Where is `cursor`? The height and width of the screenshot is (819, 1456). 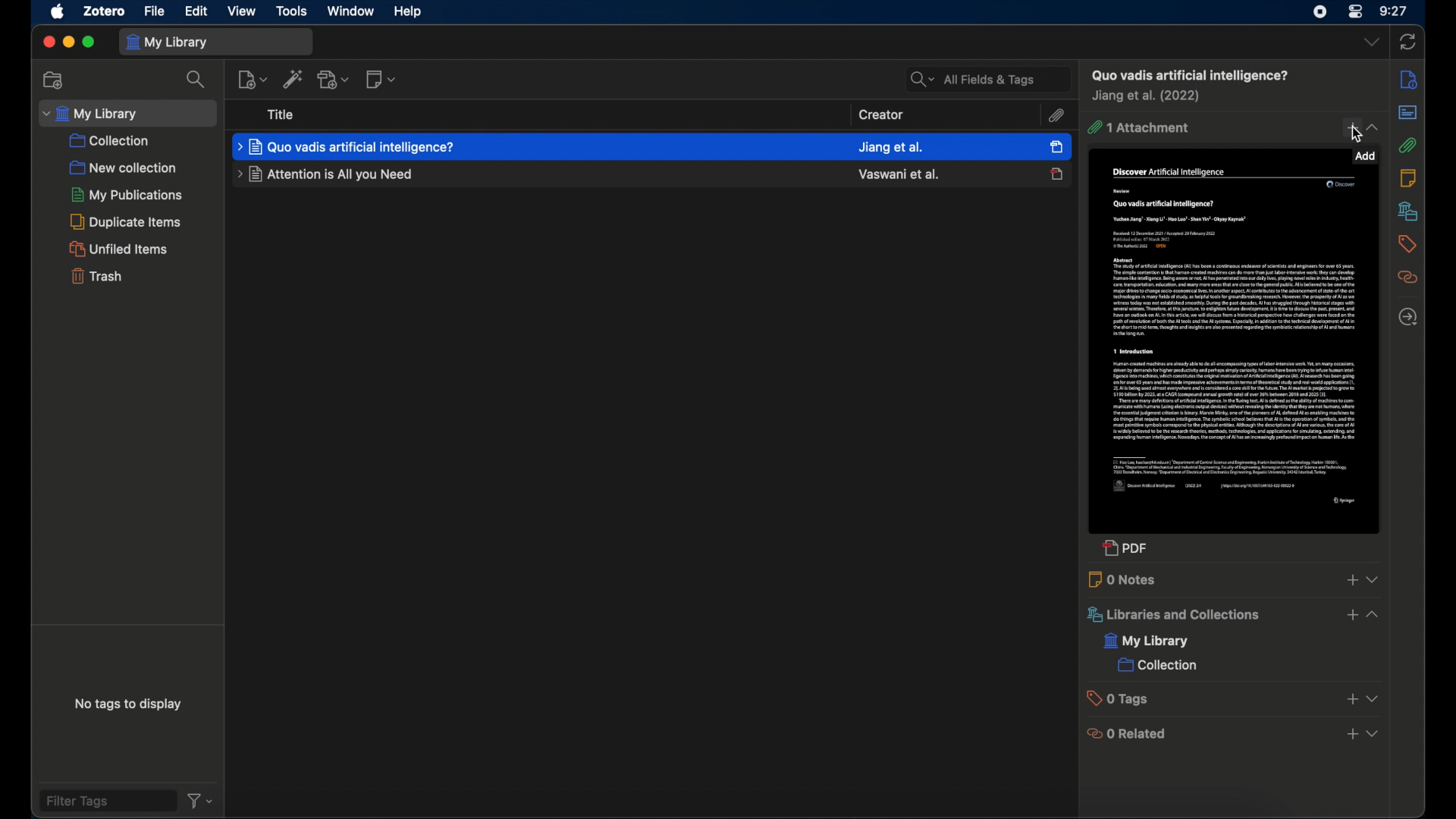
cursor is located at coordinates (1354, 134).